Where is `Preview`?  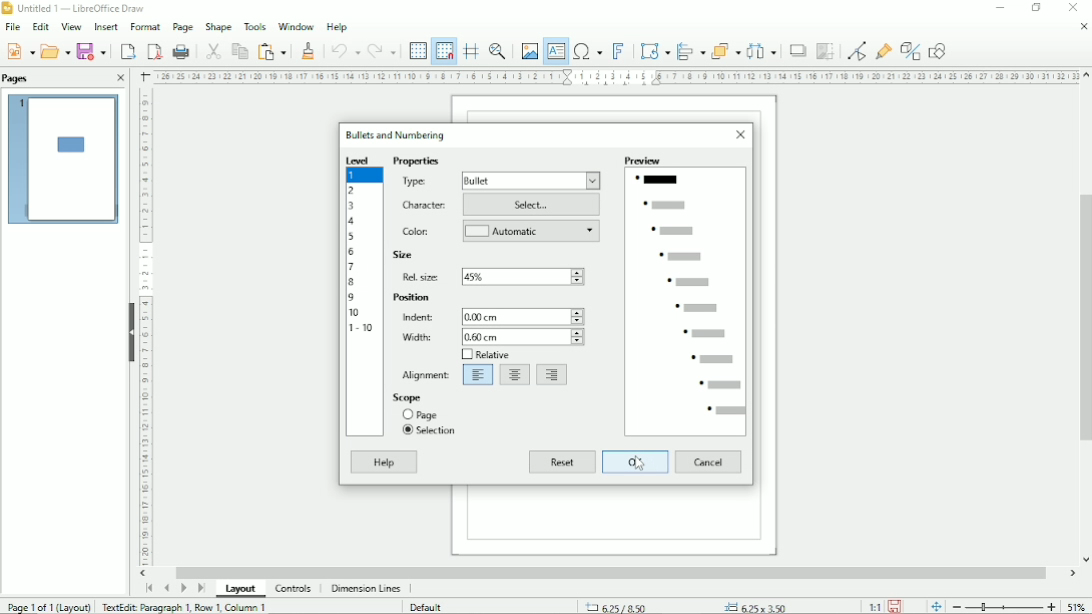
Preview is located at coordinates (687, 294).